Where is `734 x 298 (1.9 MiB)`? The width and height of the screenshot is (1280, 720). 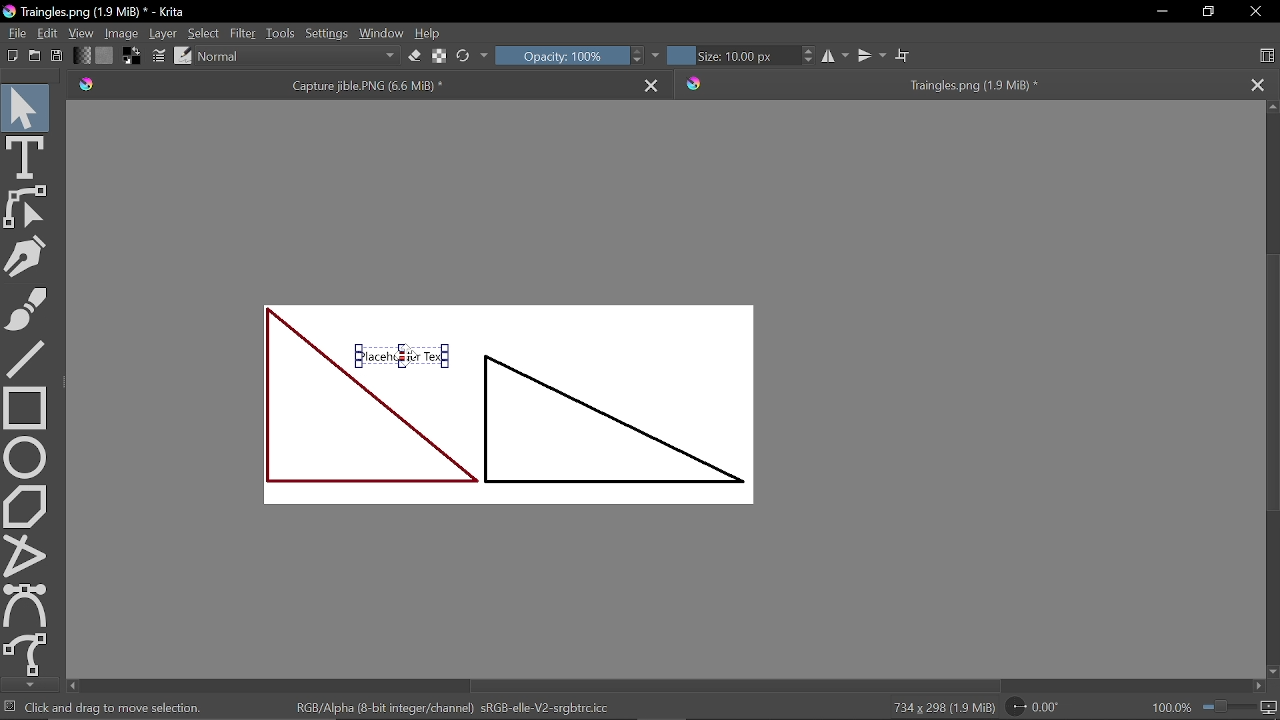
734 x 298 (1.9 MiB) is located at coordinates (942, 706).